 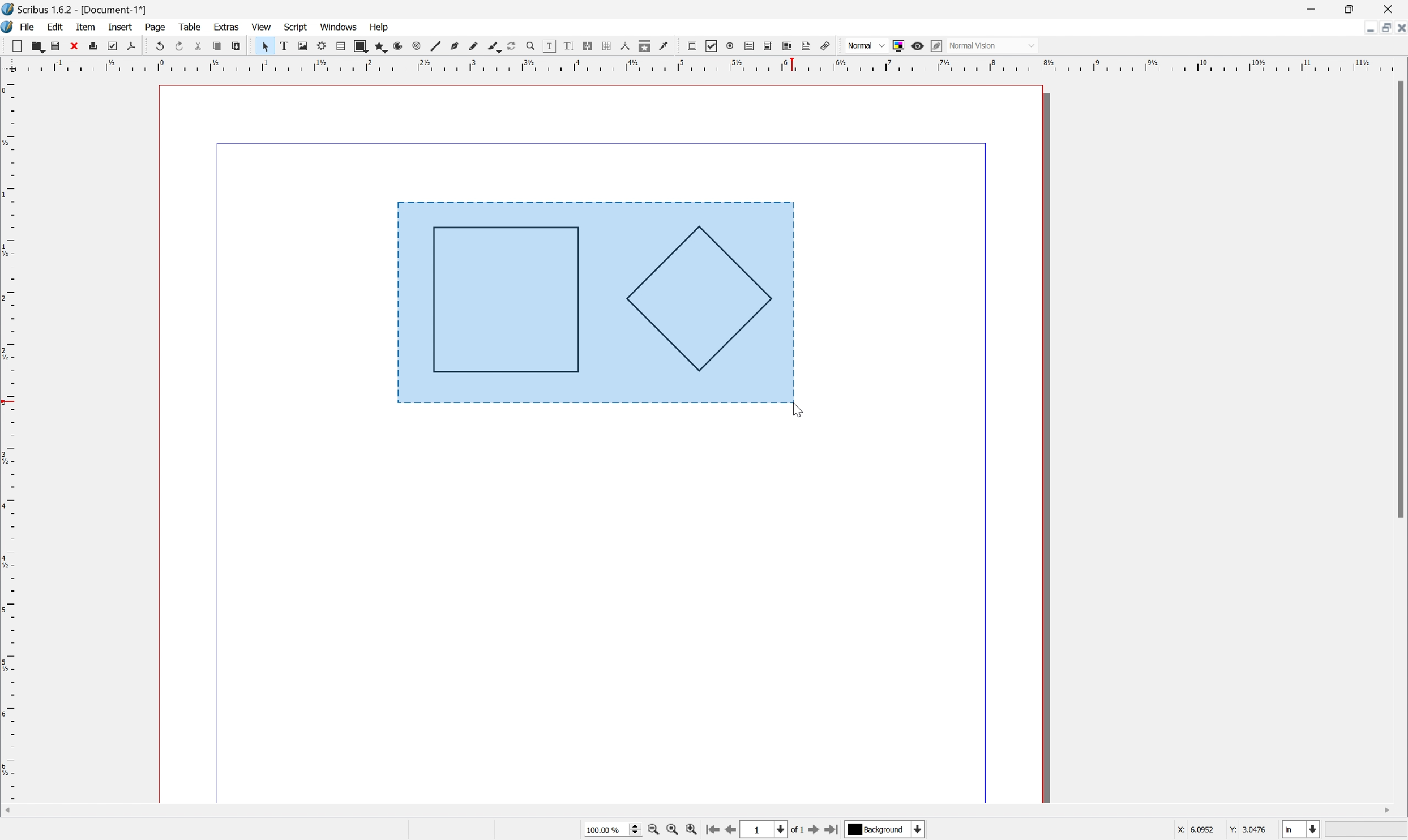 What do you see at coordinates (1392, 8) in the screenshot?
I see `Close` at bounding box center [1392, 8].